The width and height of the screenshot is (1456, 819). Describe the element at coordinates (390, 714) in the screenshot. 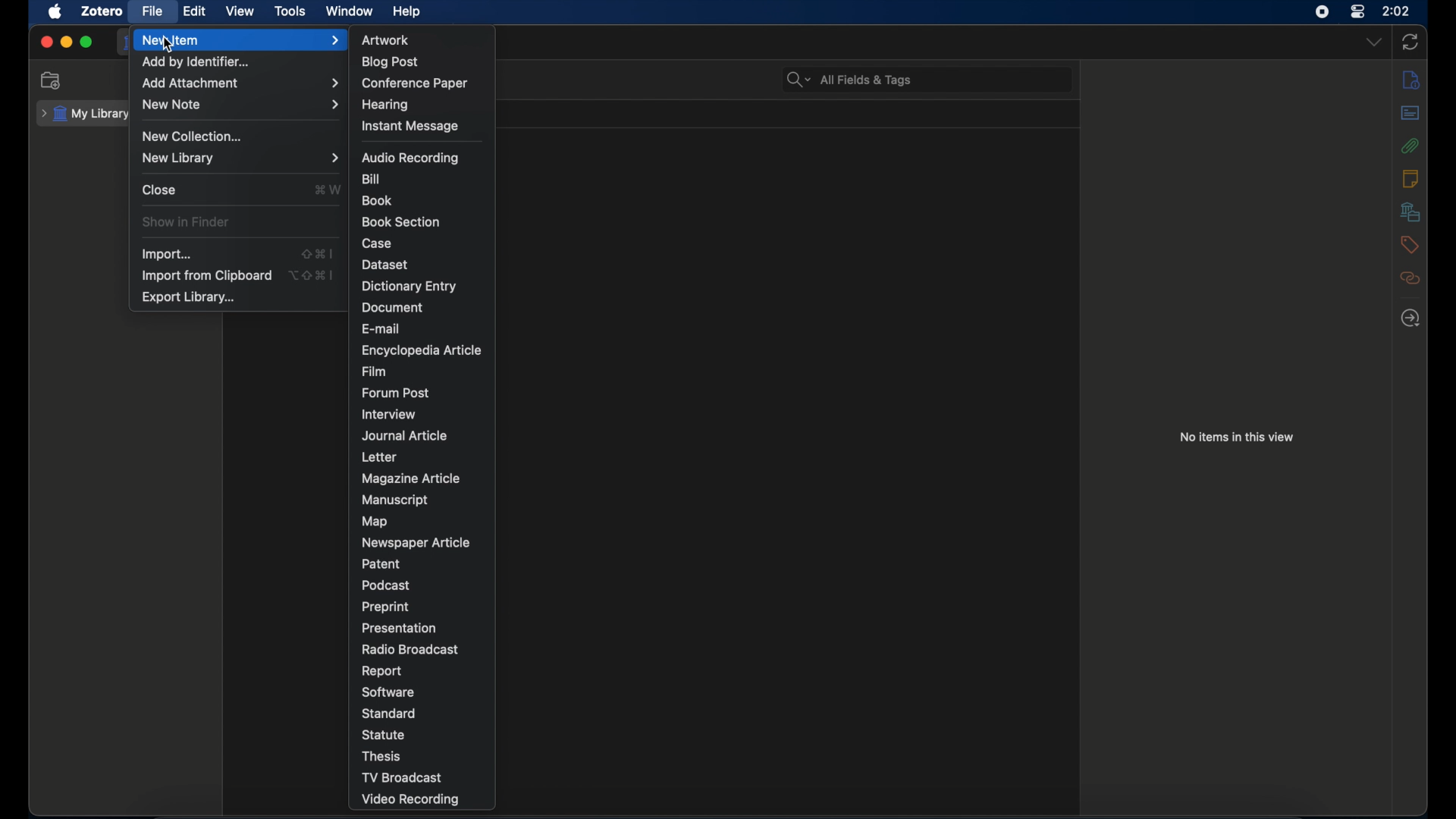

I see `standard` at that location.